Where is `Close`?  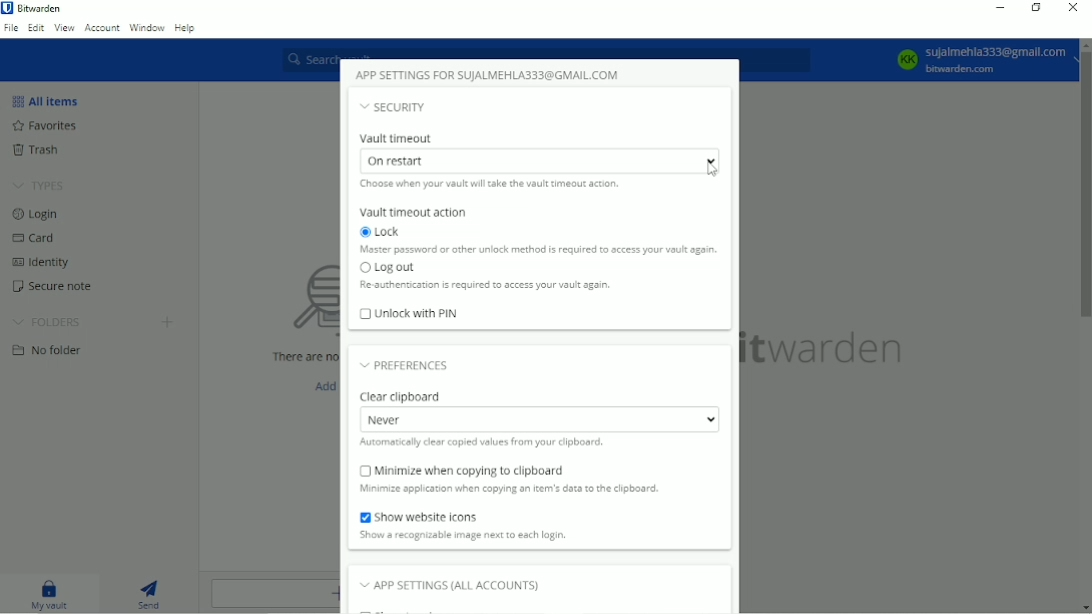
Close is located at coordinates (1074, 9).